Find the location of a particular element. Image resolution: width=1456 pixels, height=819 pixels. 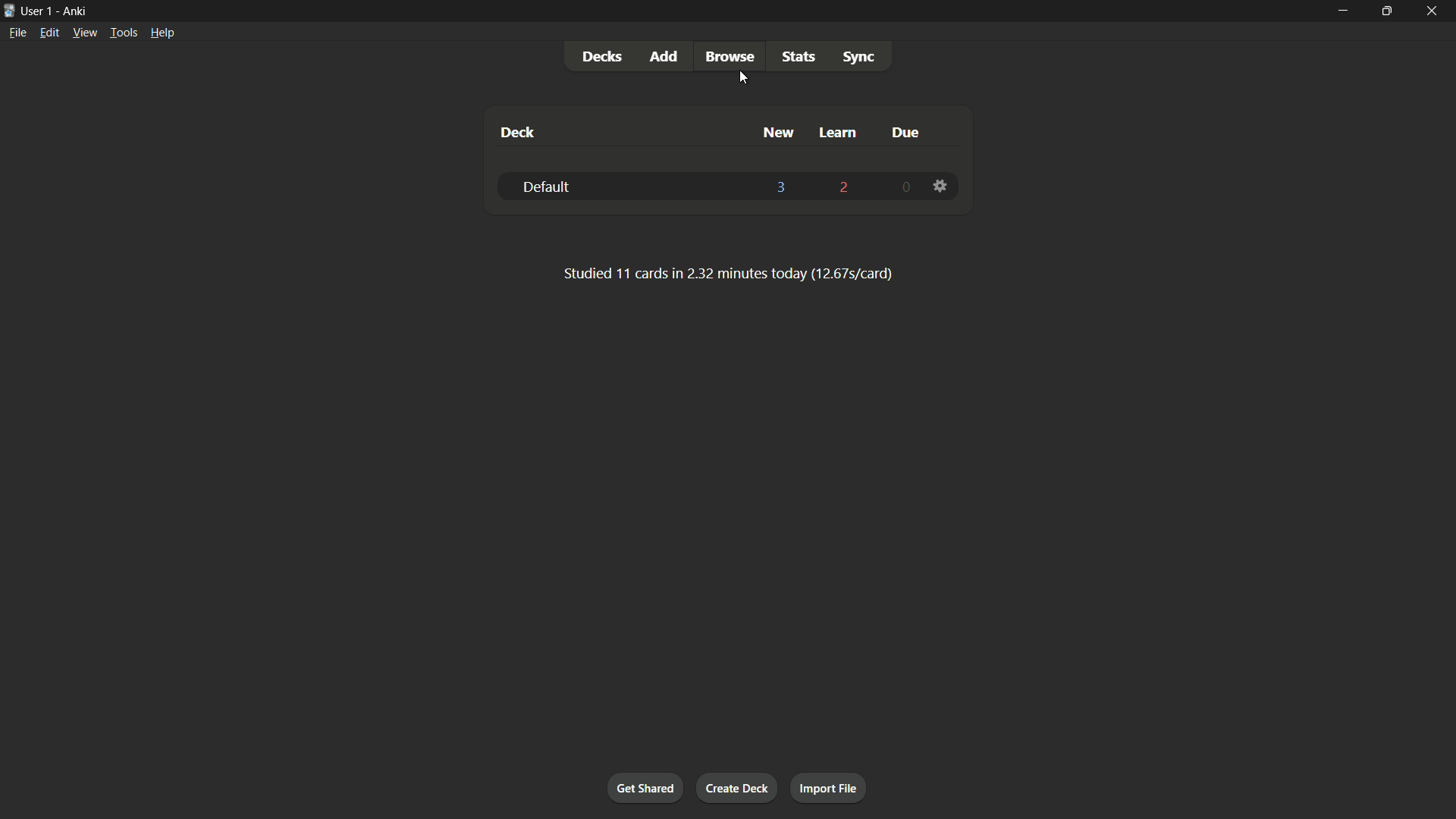

app icon is located at coordinates (9, 10).